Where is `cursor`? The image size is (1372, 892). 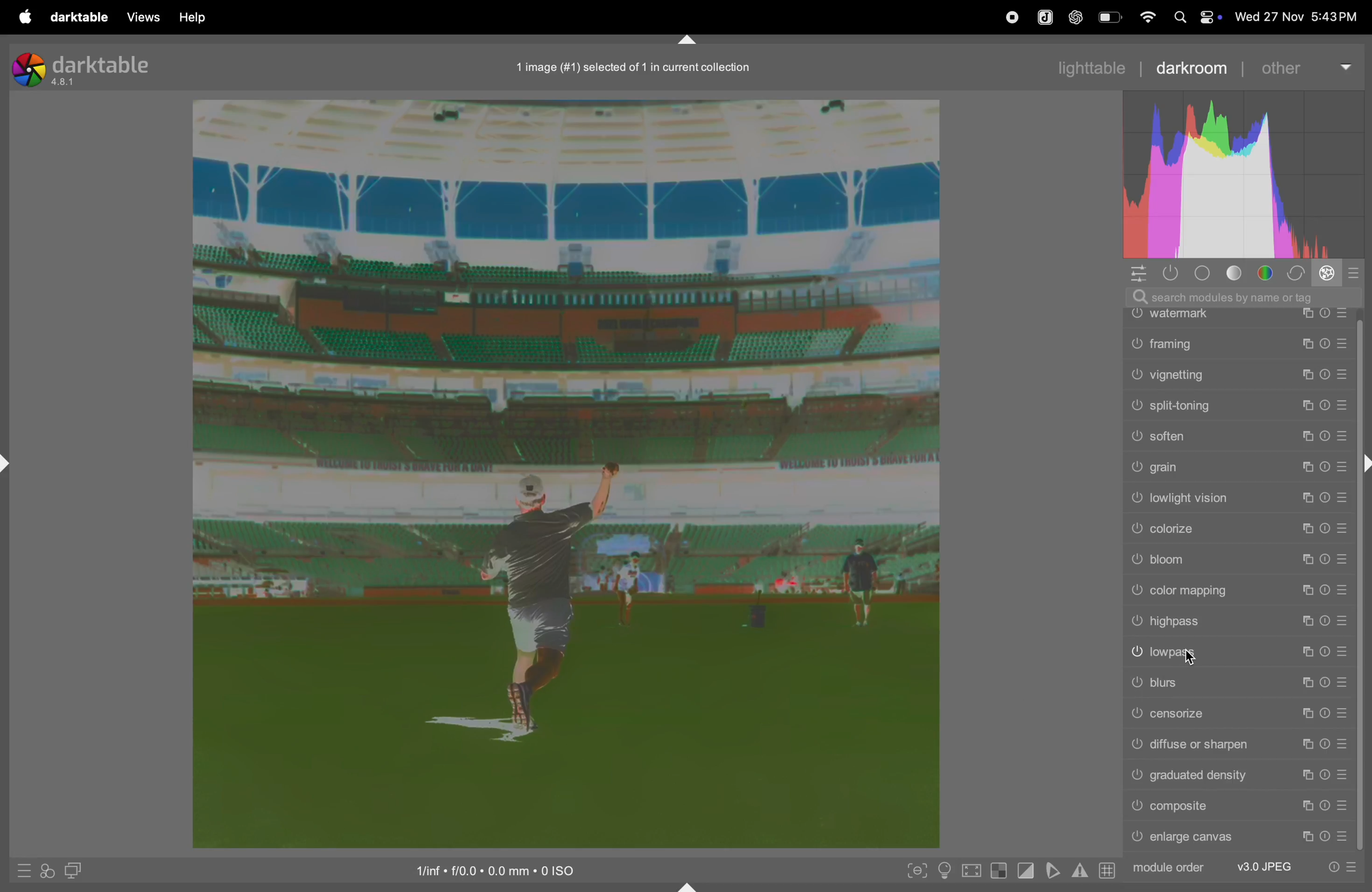
cursor is located at coordinates (1189, 659).